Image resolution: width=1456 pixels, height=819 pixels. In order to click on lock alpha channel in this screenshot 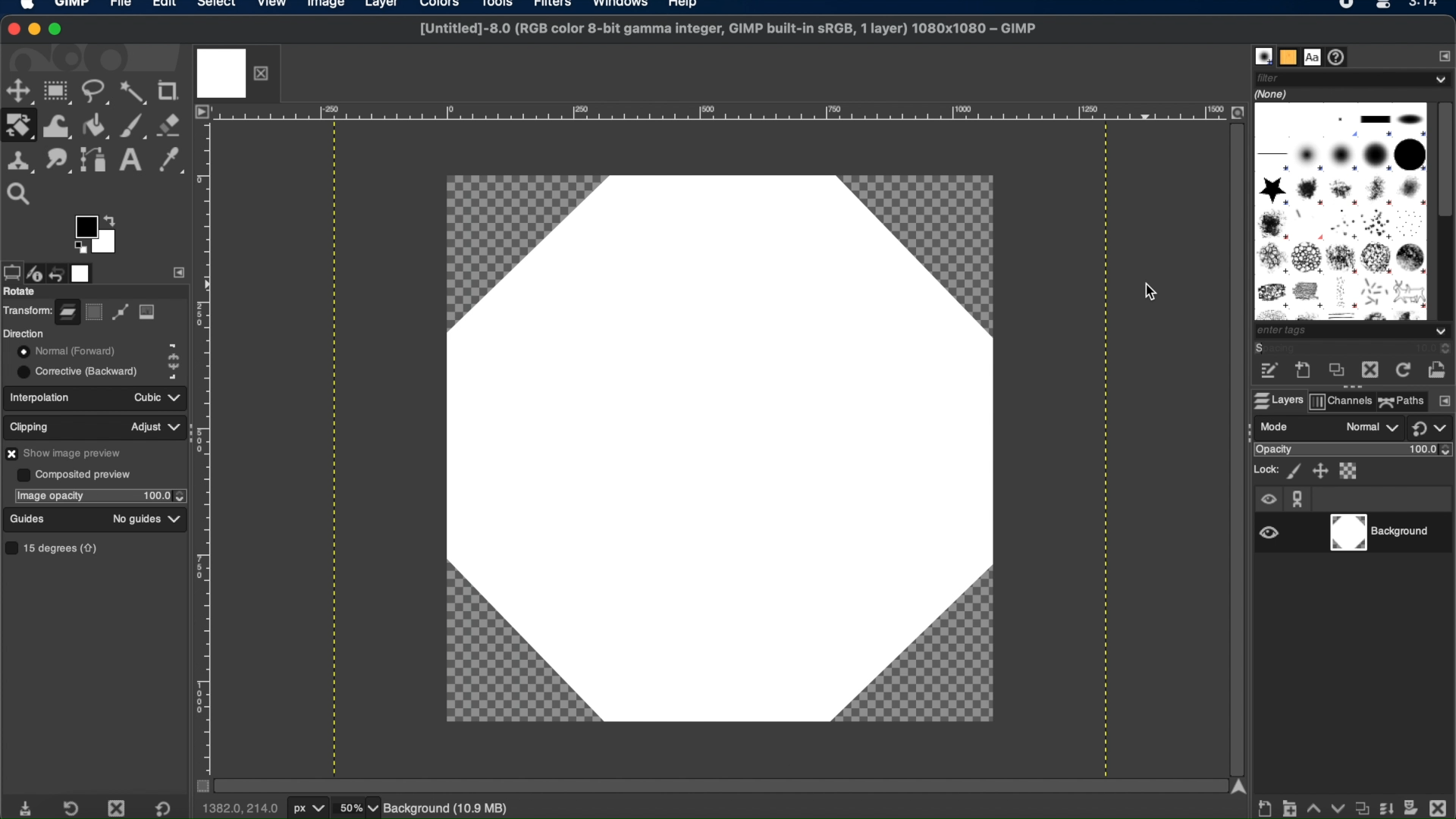, I will do `click(1351, 471)`.